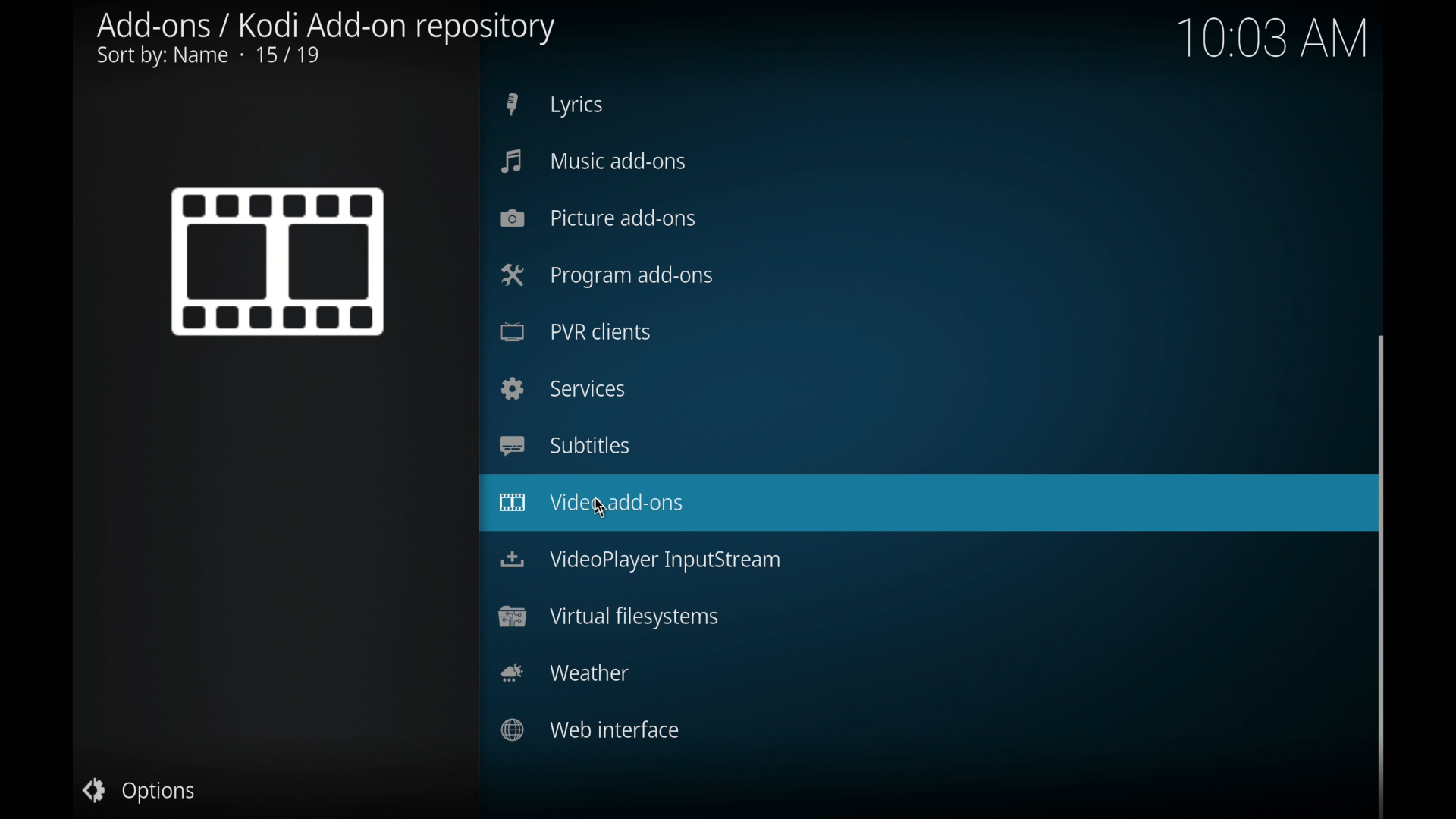 The width and height of the screenshot is (1456, 819). What do you see at coordinates (608, 617) in the screenshot?
I see `virtual filesystems` at bounding box center [608, 617].